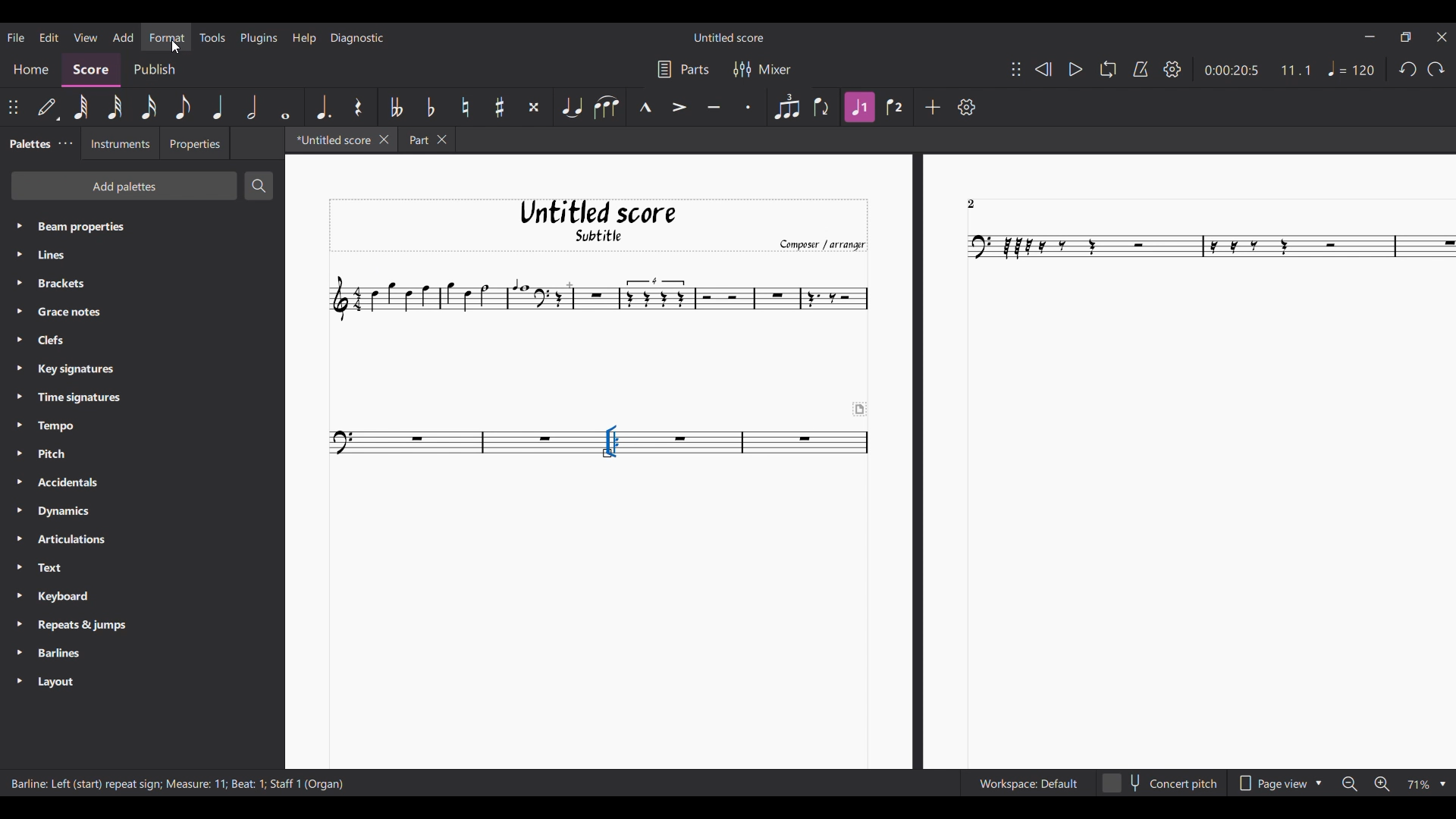  I want to click on Properties tab, so click(195, 143).